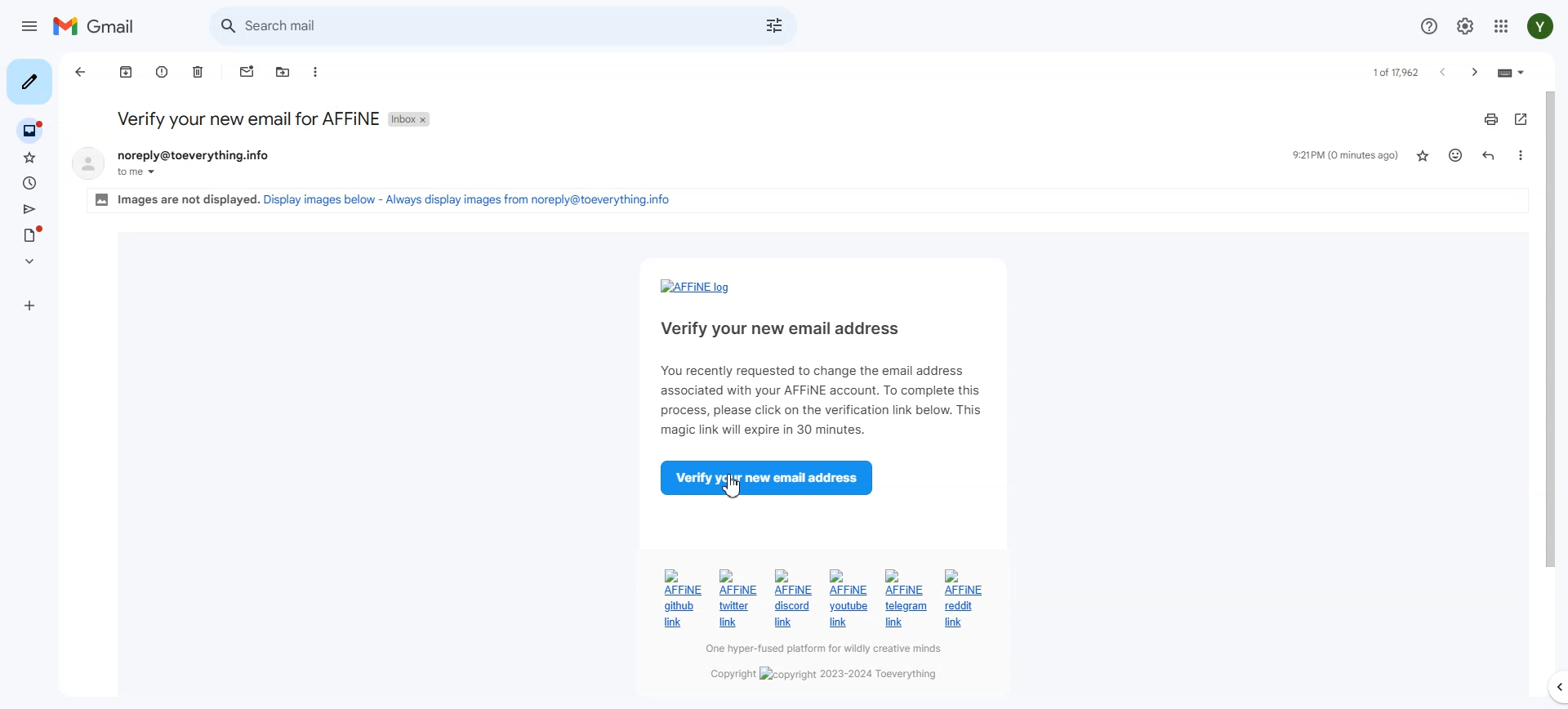 This screenshot has width=1568, height=709. Describe the element at coordinates (247, 73) in the screenshot. I see `Mark as unread` at that location.